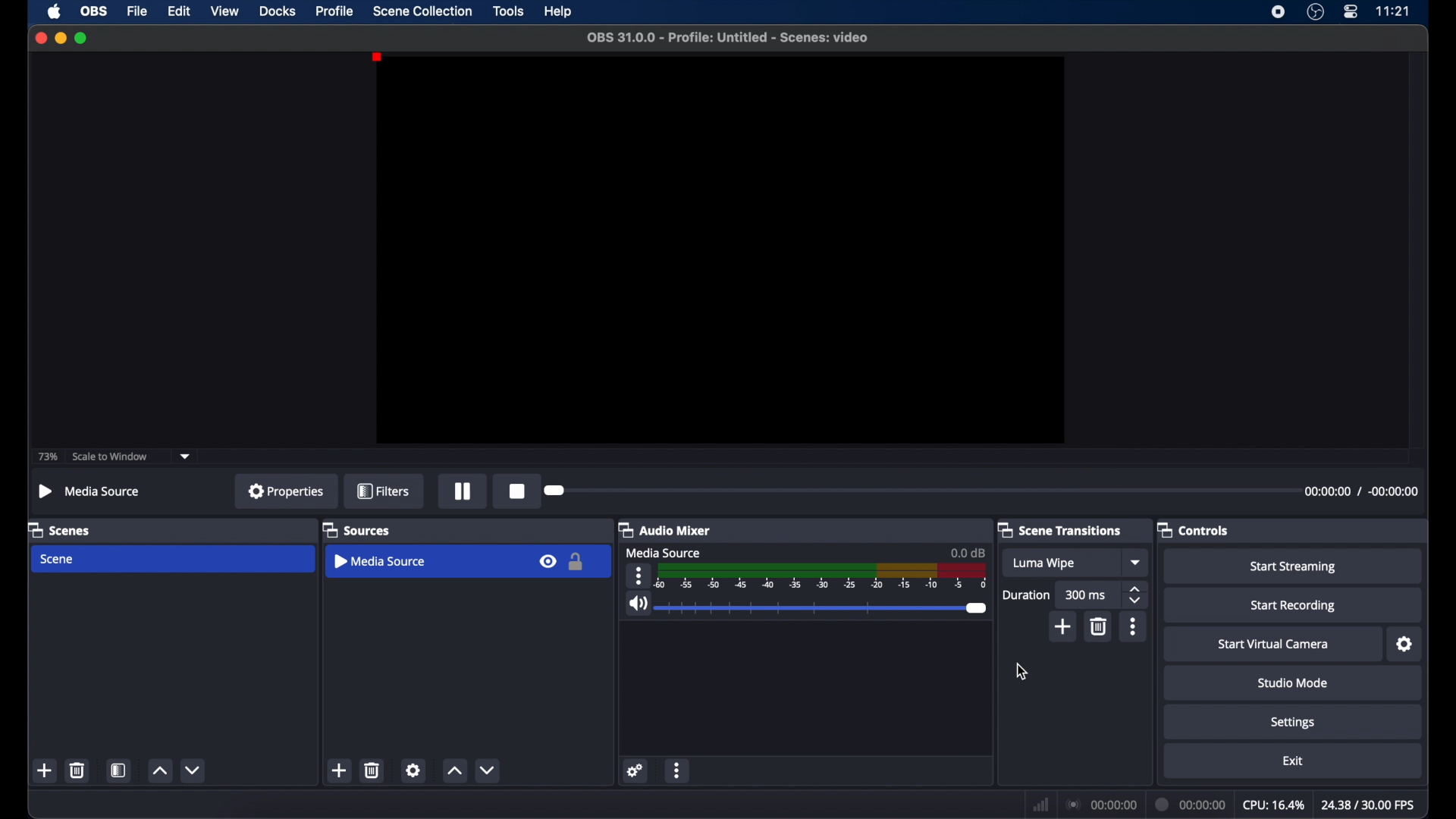  I want to click on connection, so click(1103, 805).